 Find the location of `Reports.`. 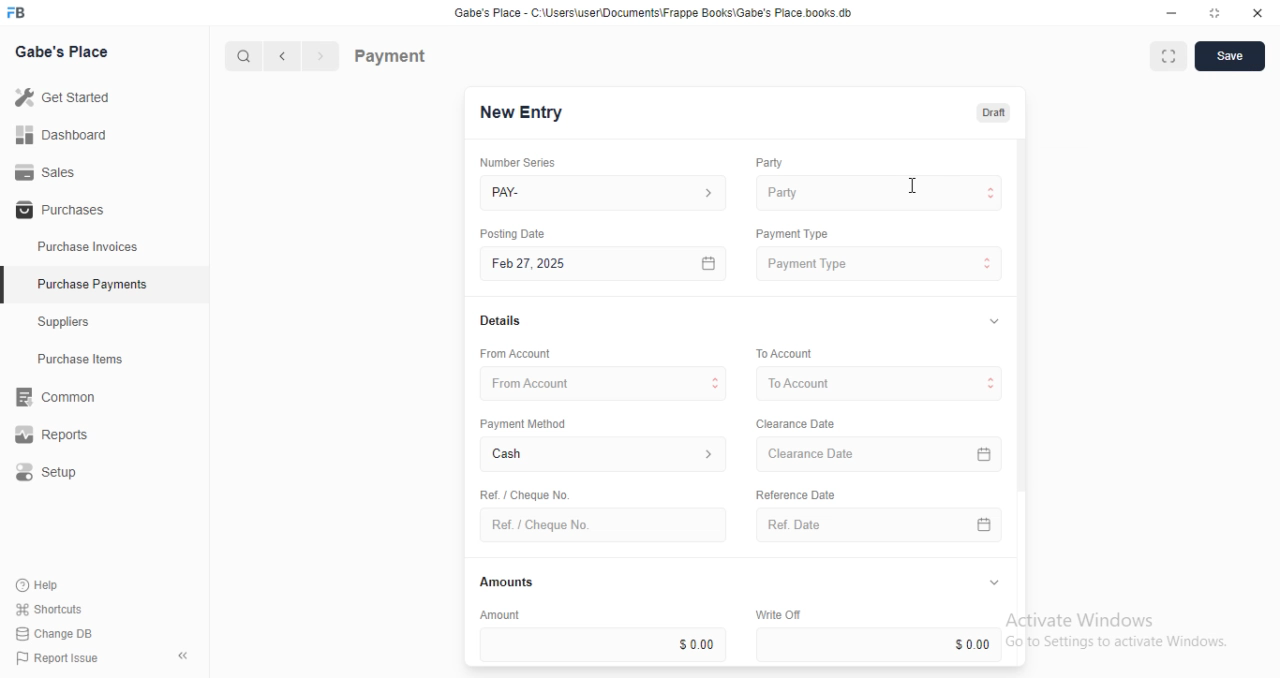

Reports. is located at coordinates (59, 435).